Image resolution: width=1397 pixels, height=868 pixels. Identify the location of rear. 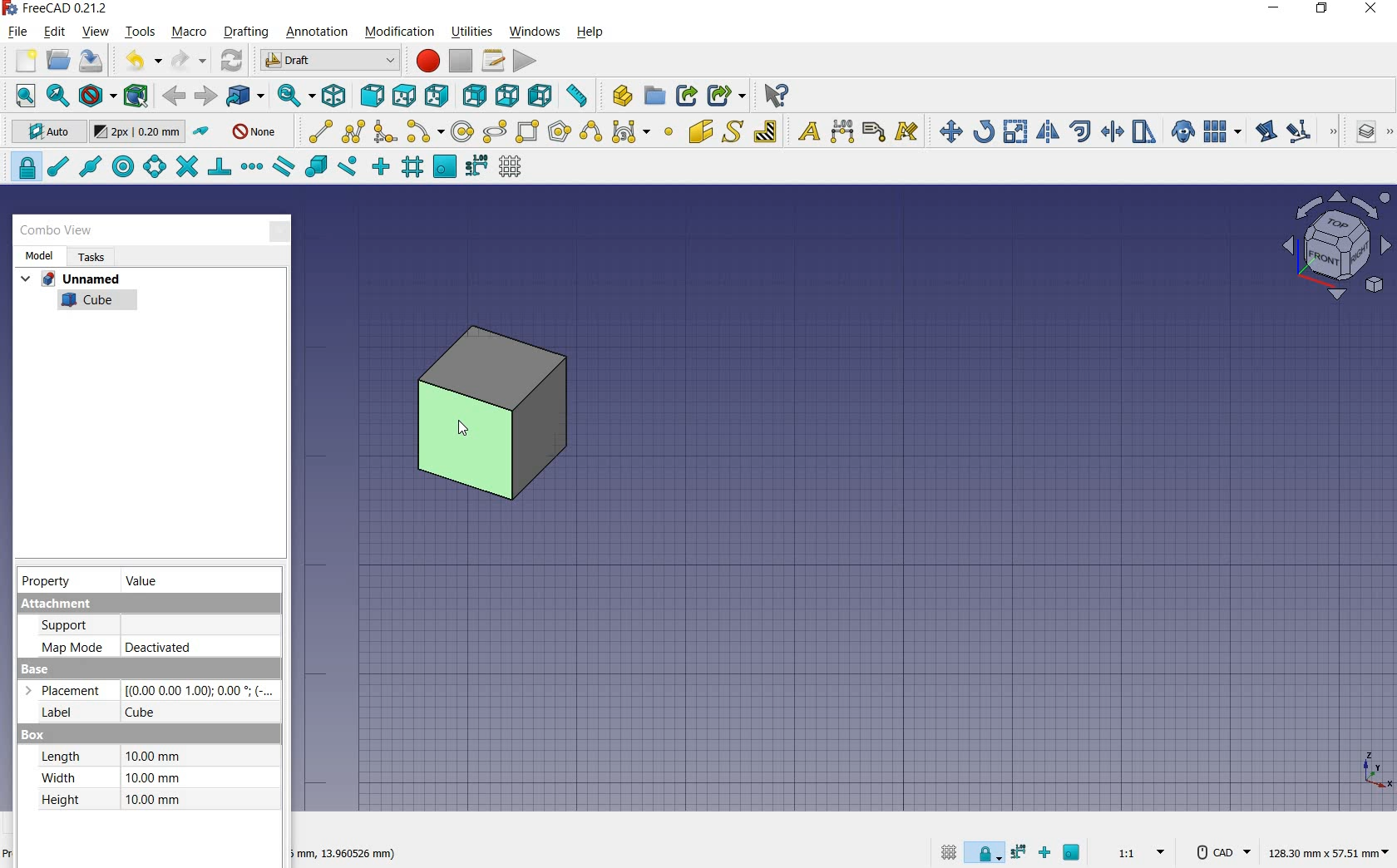
(475, 96).